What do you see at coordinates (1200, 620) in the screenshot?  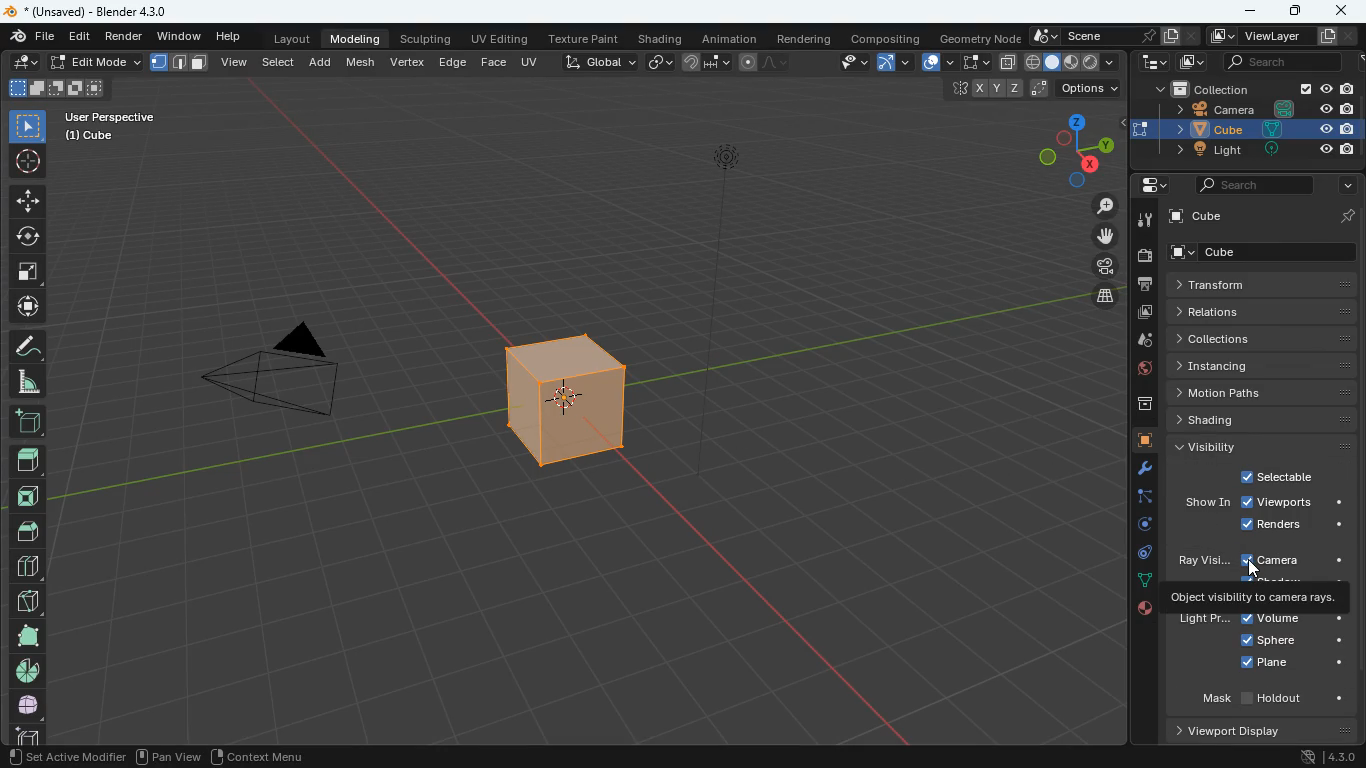 I see `light ` at bounding box center [1200, 620].